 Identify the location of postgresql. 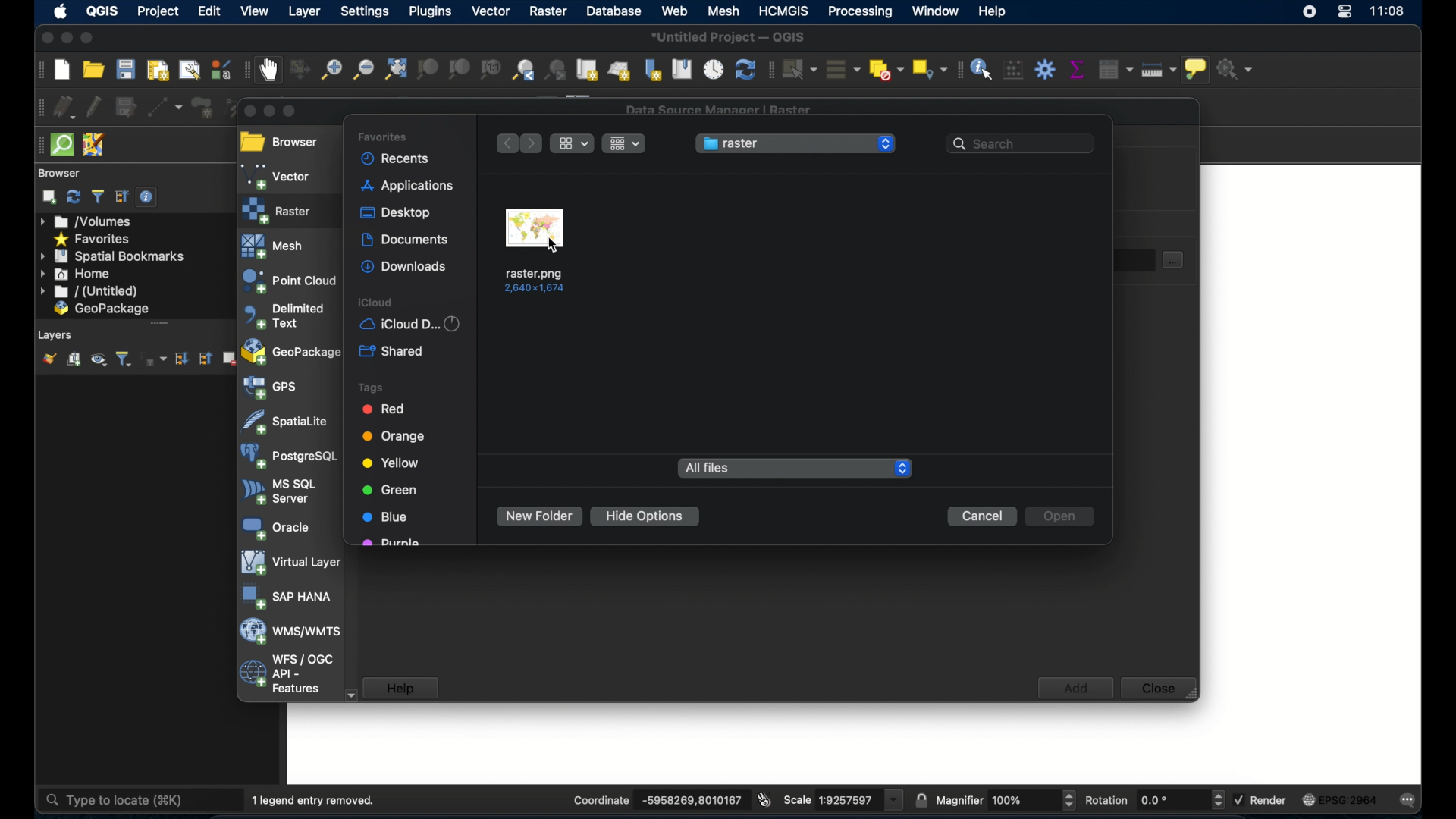
(289, 456).